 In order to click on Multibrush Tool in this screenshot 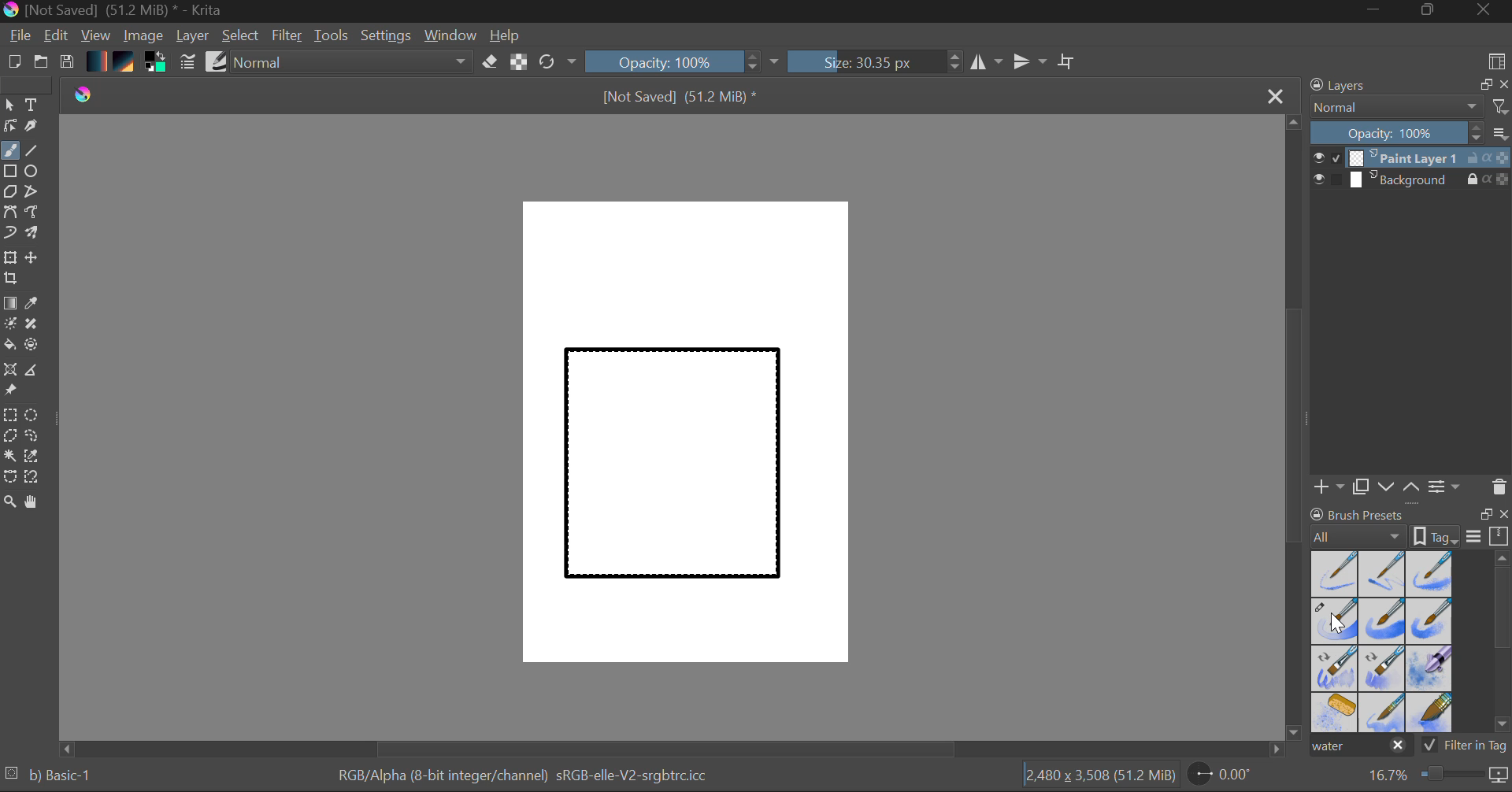, I will do `click(33, 235)`.